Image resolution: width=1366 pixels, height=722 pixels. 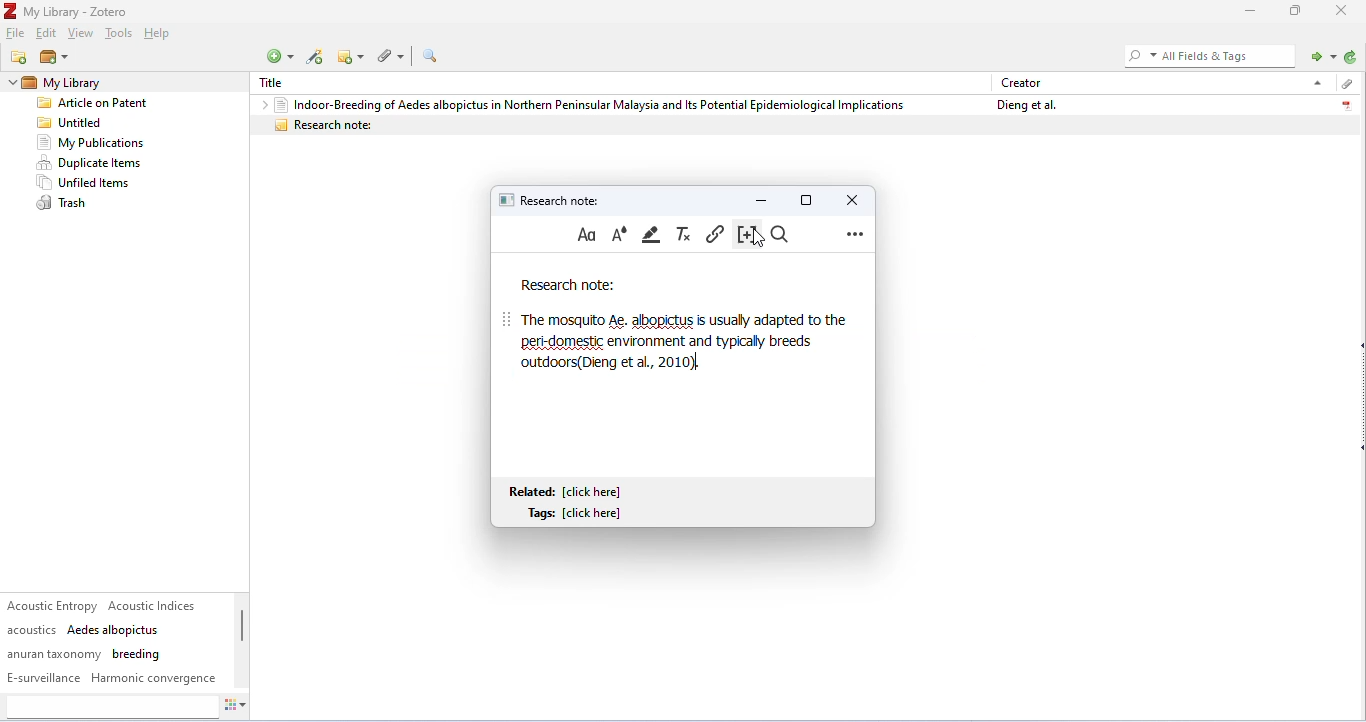 I want to click on new item, so click(x=279, y=56).